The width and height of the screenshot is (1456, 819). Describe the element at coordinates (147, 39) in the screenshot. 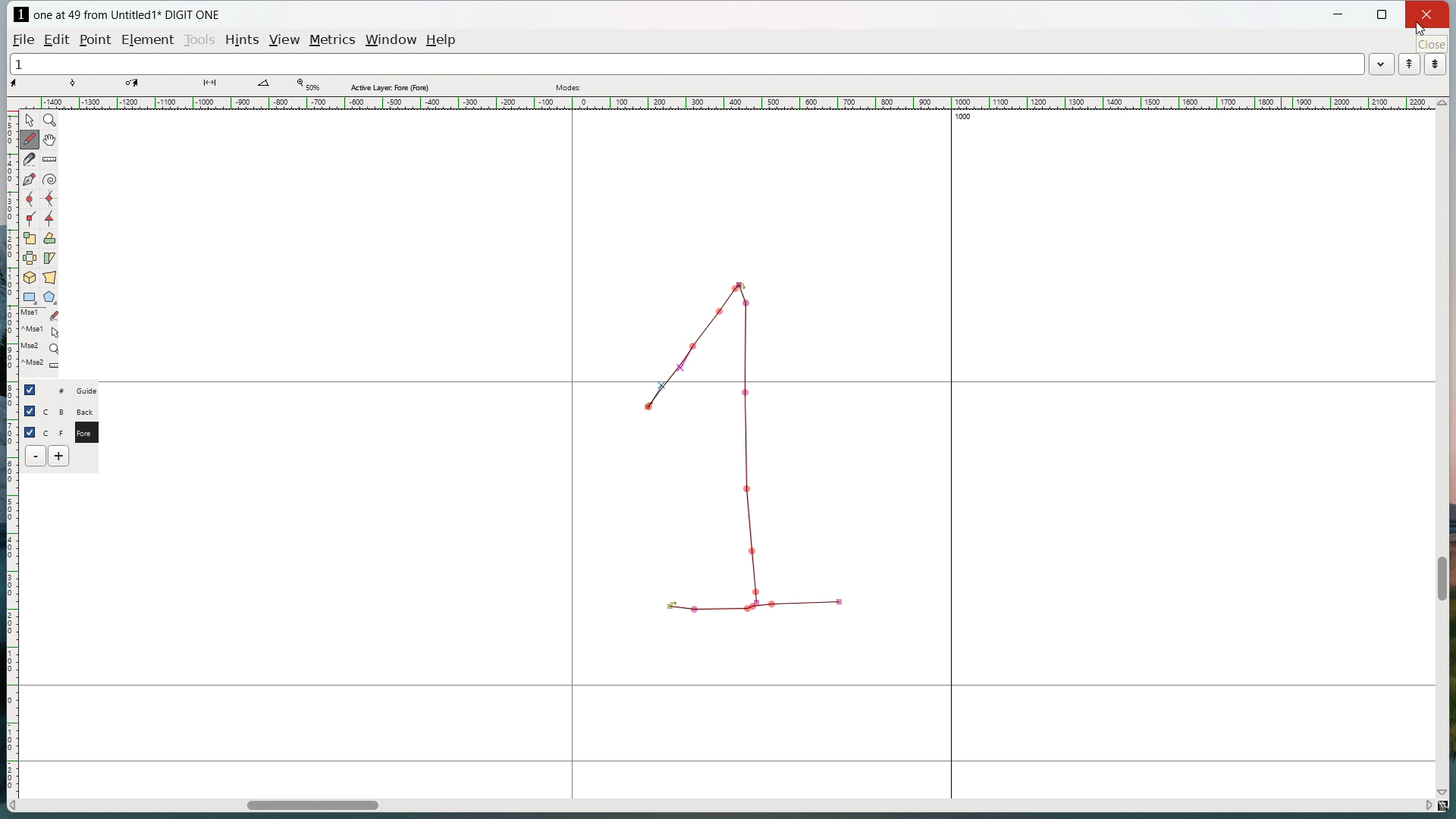

I see `element` at that location.